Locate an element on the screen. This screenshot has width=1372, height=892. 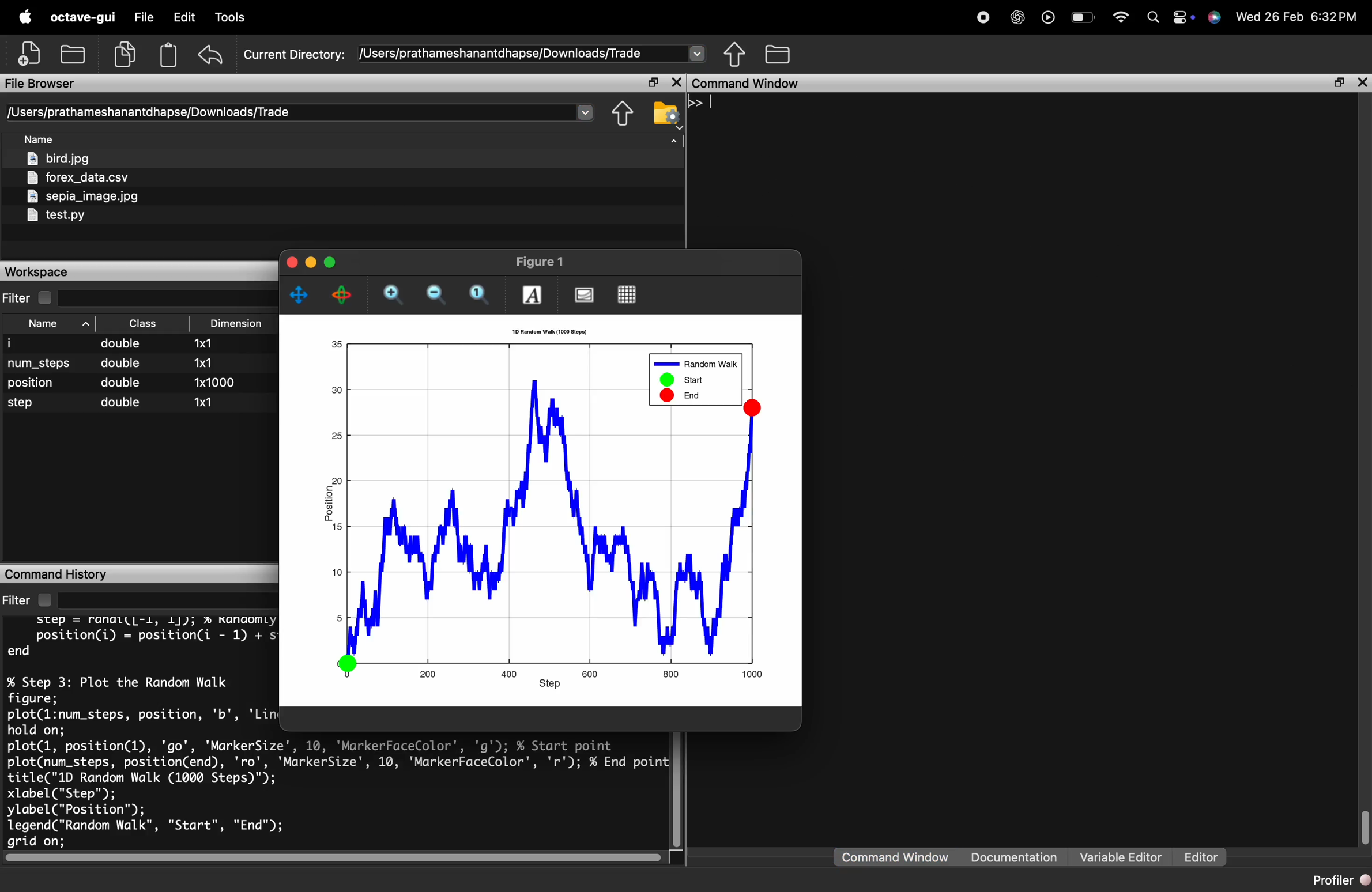
graph is located at coordinates (629, 295).